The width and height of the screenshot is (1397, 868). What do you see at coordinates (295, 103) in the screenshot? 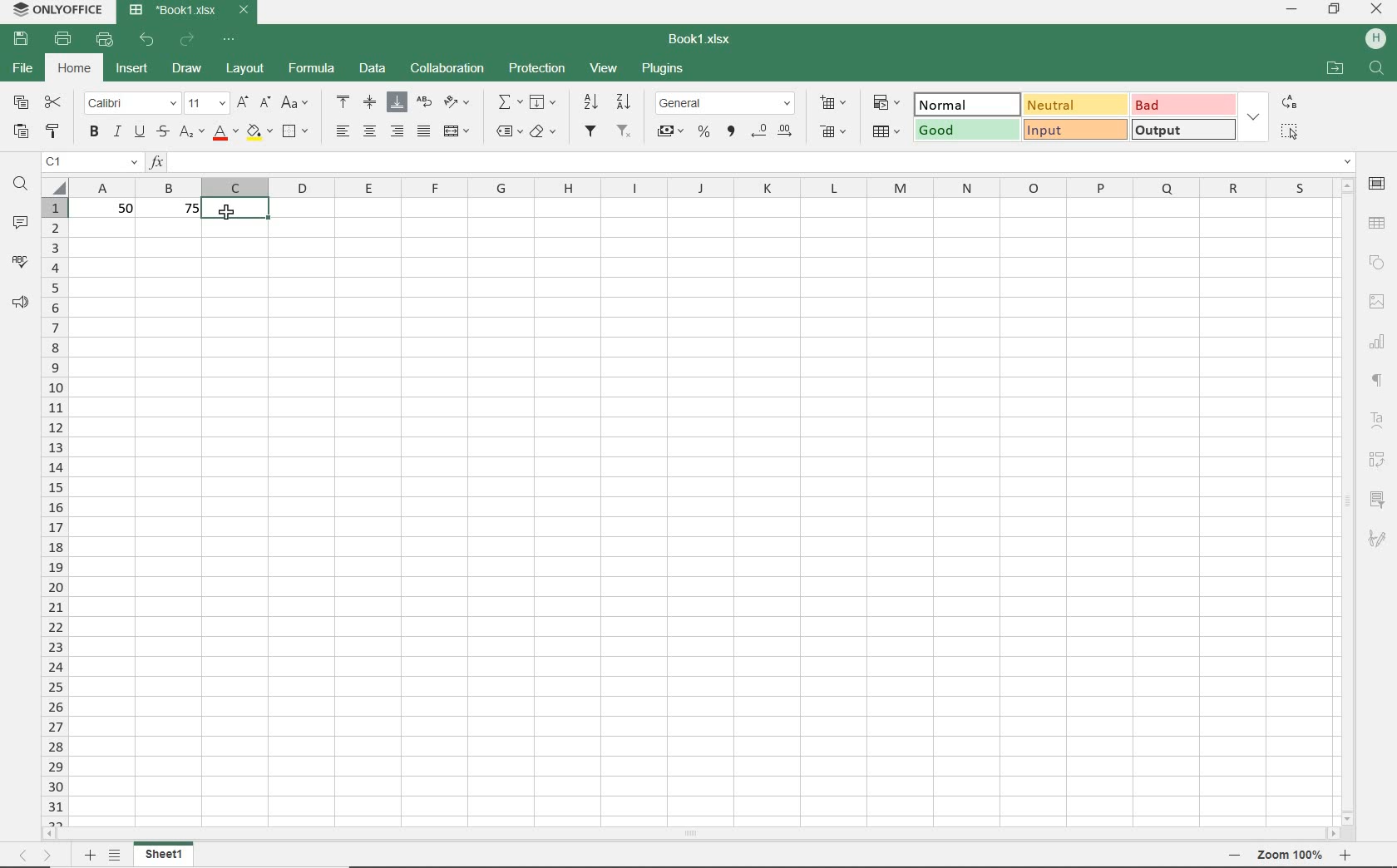
I see `change case` at bounding box center [295, 103].